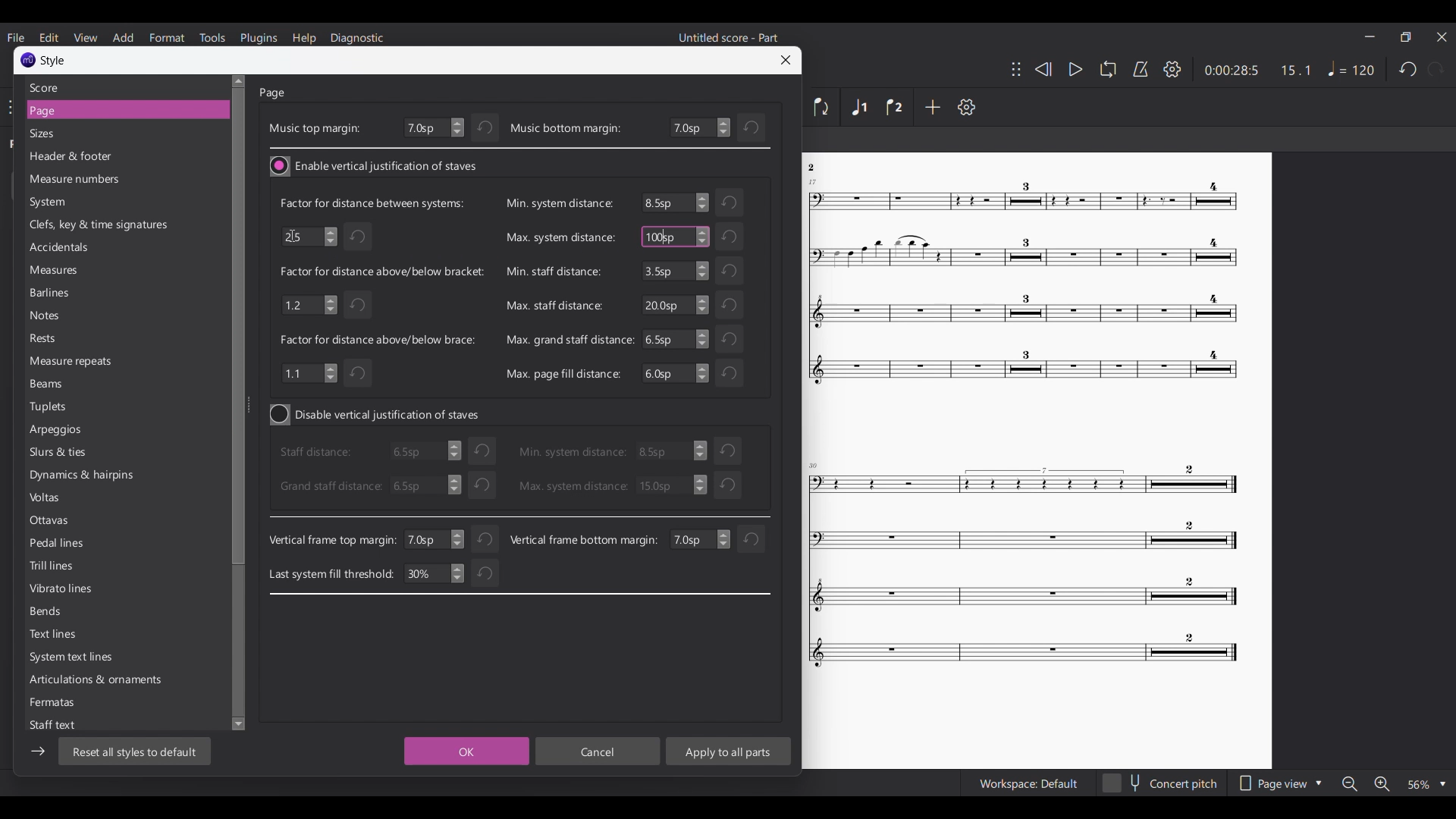 The image size is (1456, 819). Describe the element at coordinates (751, 539) in the screenshot. I see `reset` at that location.